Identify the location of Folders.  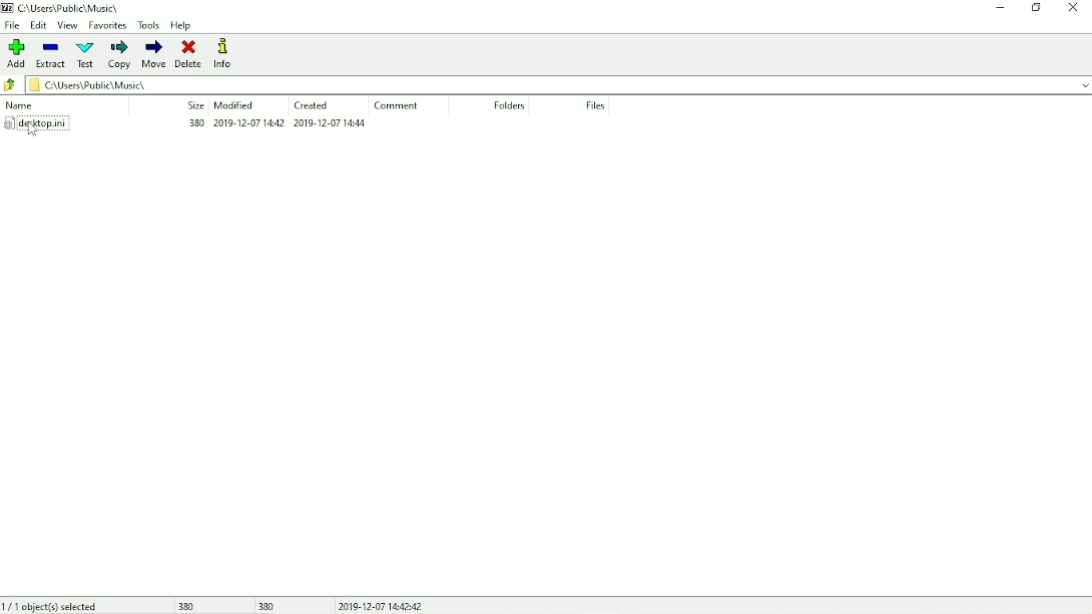
(510, 106).